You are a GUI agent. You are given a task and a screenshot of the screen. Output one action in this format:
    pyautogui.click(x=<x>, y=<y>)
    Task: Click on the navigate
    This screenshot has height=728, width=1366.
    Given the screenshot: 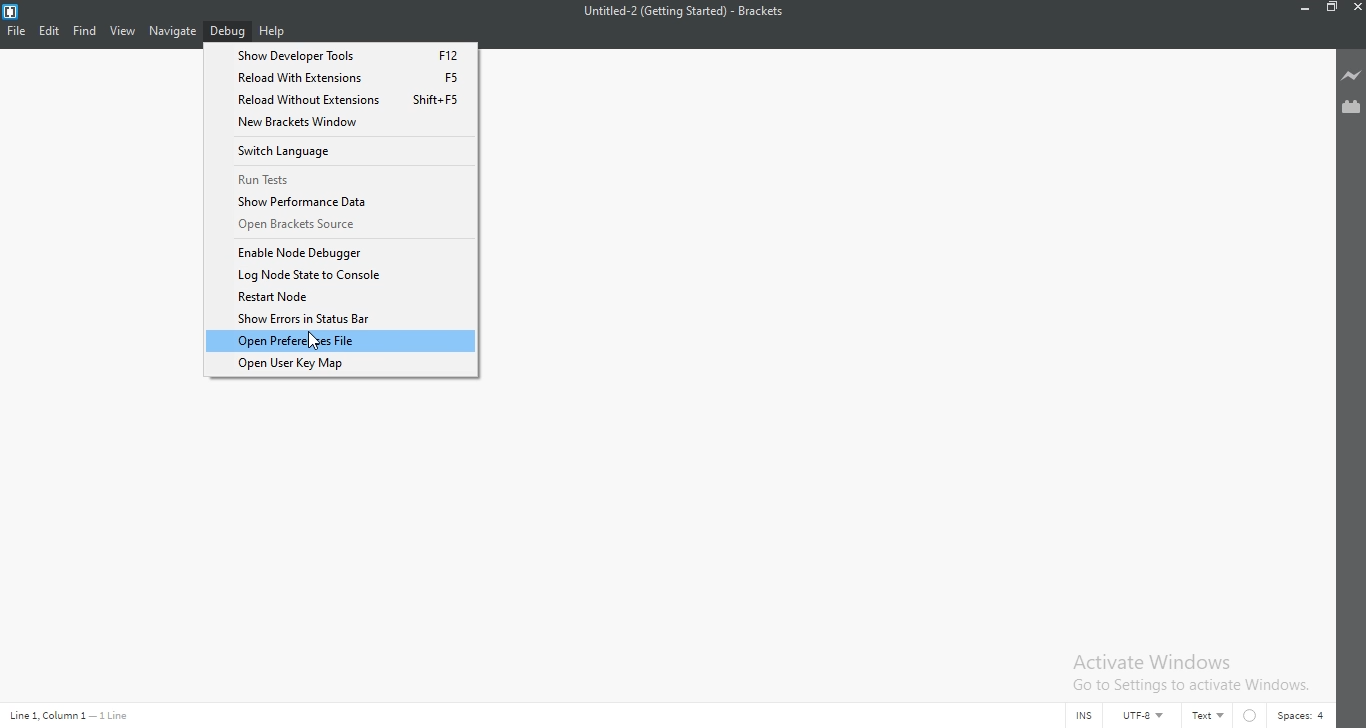 What is the action you would take?
    pyautogui.click(x=172, y=31)
    